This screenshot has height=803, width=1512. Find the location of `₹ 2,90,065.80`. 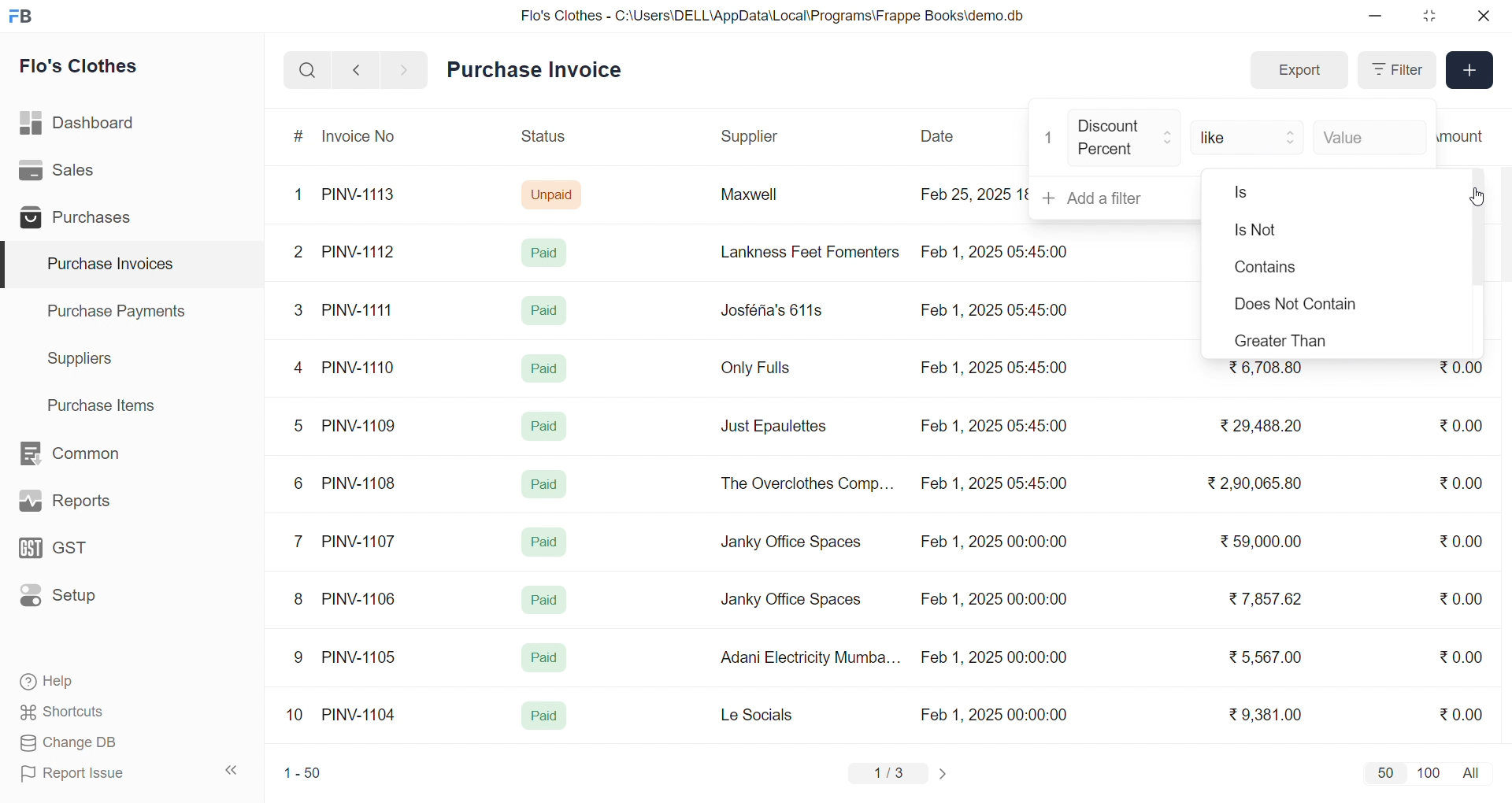

₹ 2,90,065.80 is located at coordinates (1256, 484).